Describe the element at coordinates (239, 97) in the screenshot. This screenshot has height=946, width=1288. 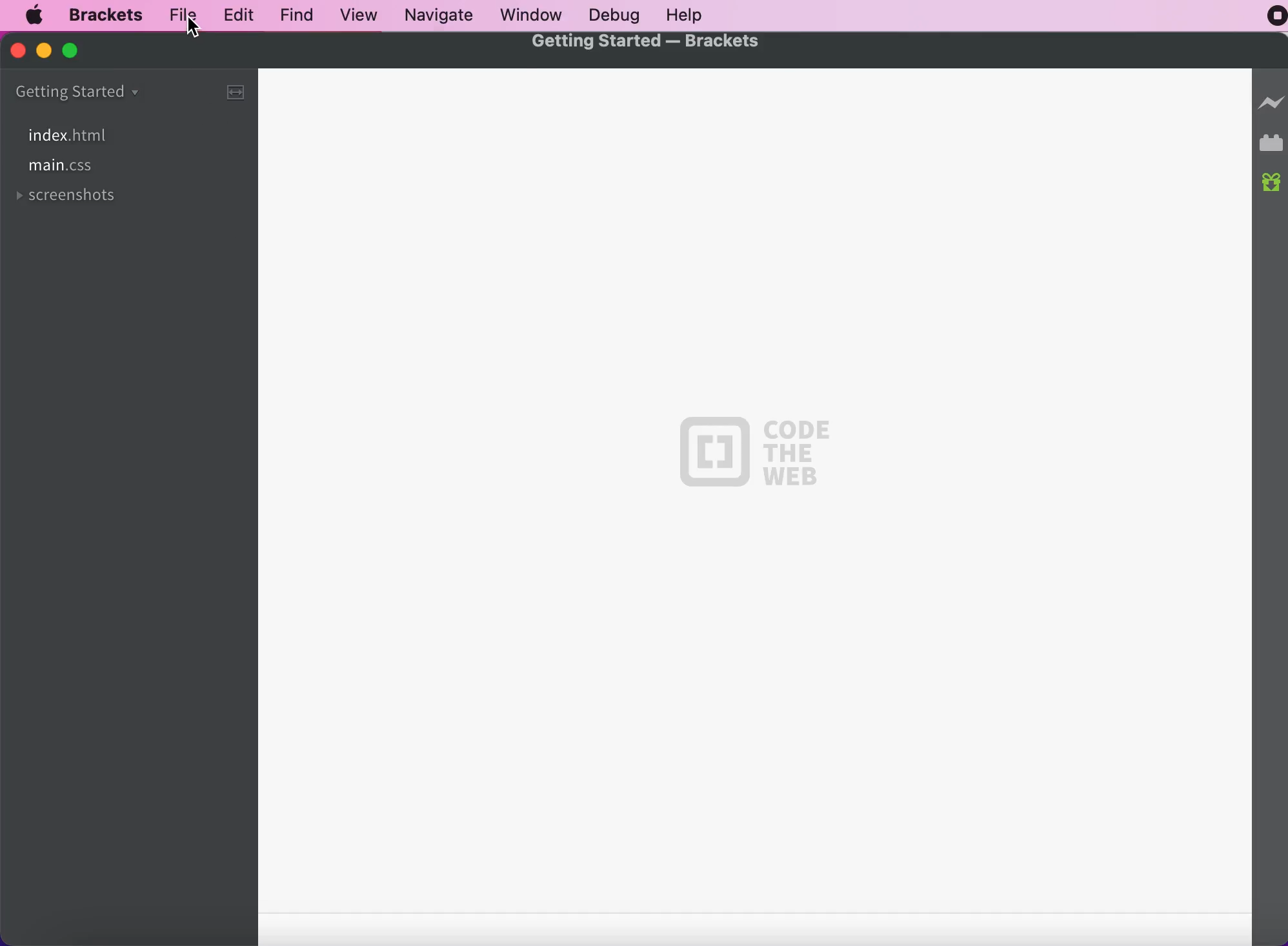
I see `slit the editor vertically or horizontally` at that location.